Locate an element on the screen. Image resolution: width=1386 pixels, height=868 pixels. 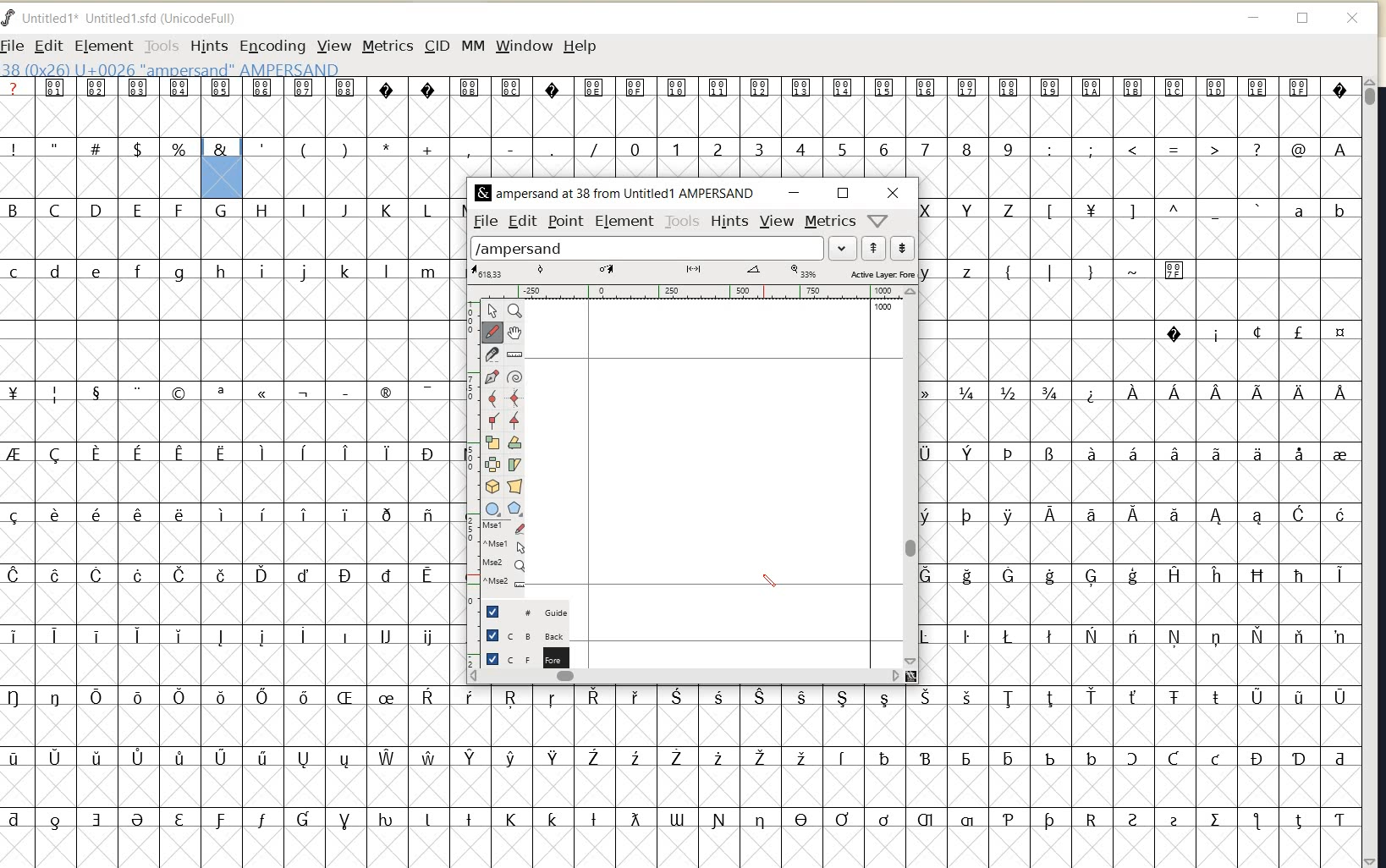
HELP is located at coordinates (580, 47).